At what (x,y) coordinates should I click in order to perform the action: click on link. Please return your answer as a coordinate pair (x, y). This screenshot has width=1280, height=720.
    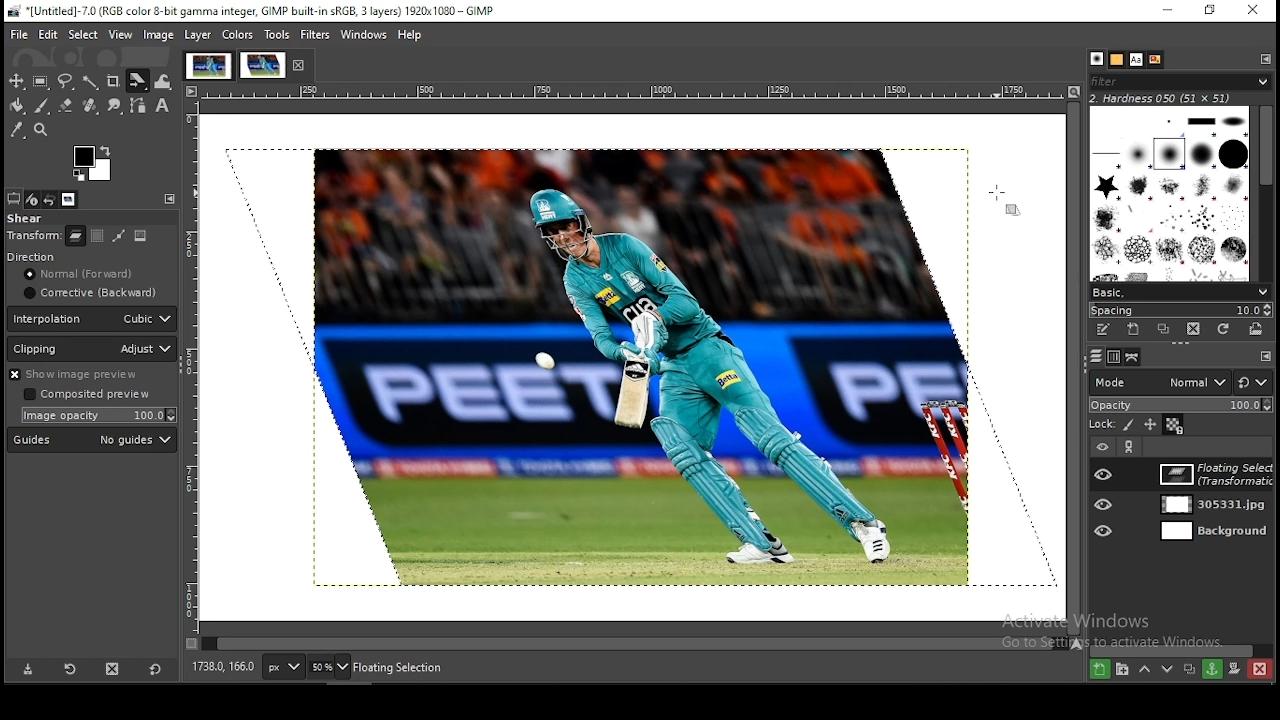
    Looking at the image, I should click on (1131, 447).